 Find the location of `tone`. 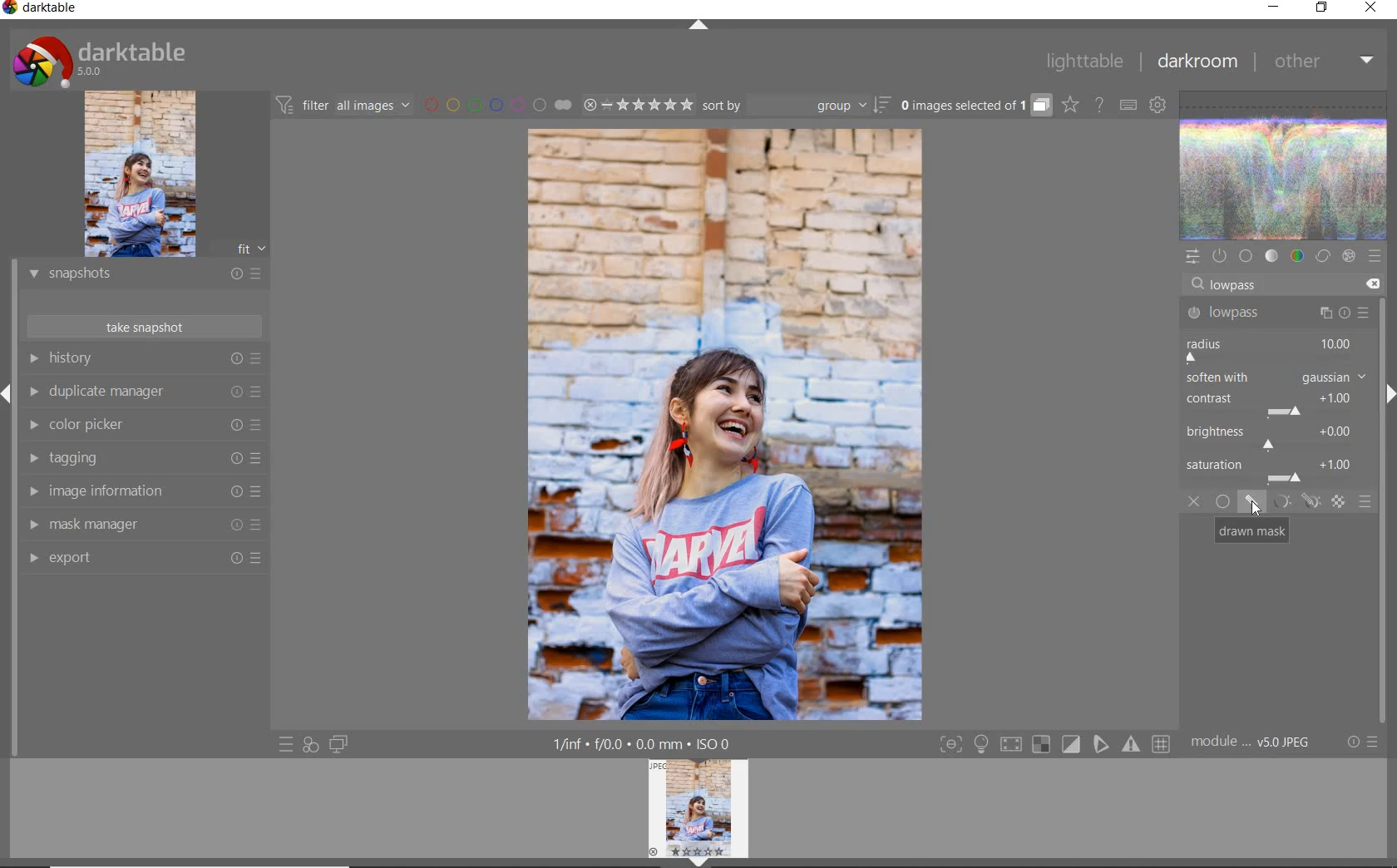

tone is located at coordinates (1272, 257).